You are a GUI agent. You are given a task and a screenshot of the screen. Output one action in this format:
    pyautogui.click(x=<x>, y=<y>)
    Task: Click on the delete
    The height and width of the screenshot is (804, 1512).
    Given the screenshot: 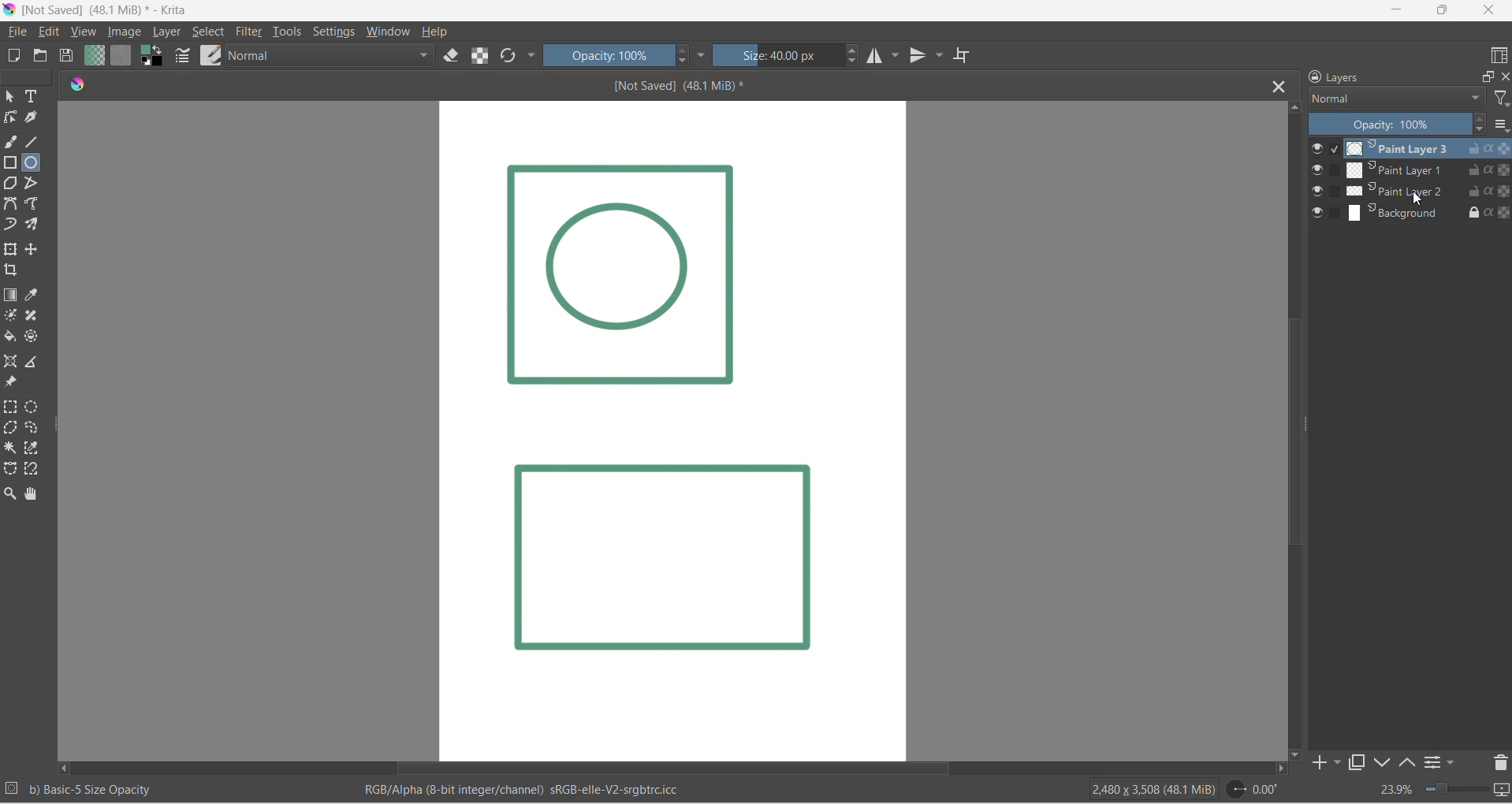 What is the action you would take?
    pyautogui.click(x=1503, y=761)
    